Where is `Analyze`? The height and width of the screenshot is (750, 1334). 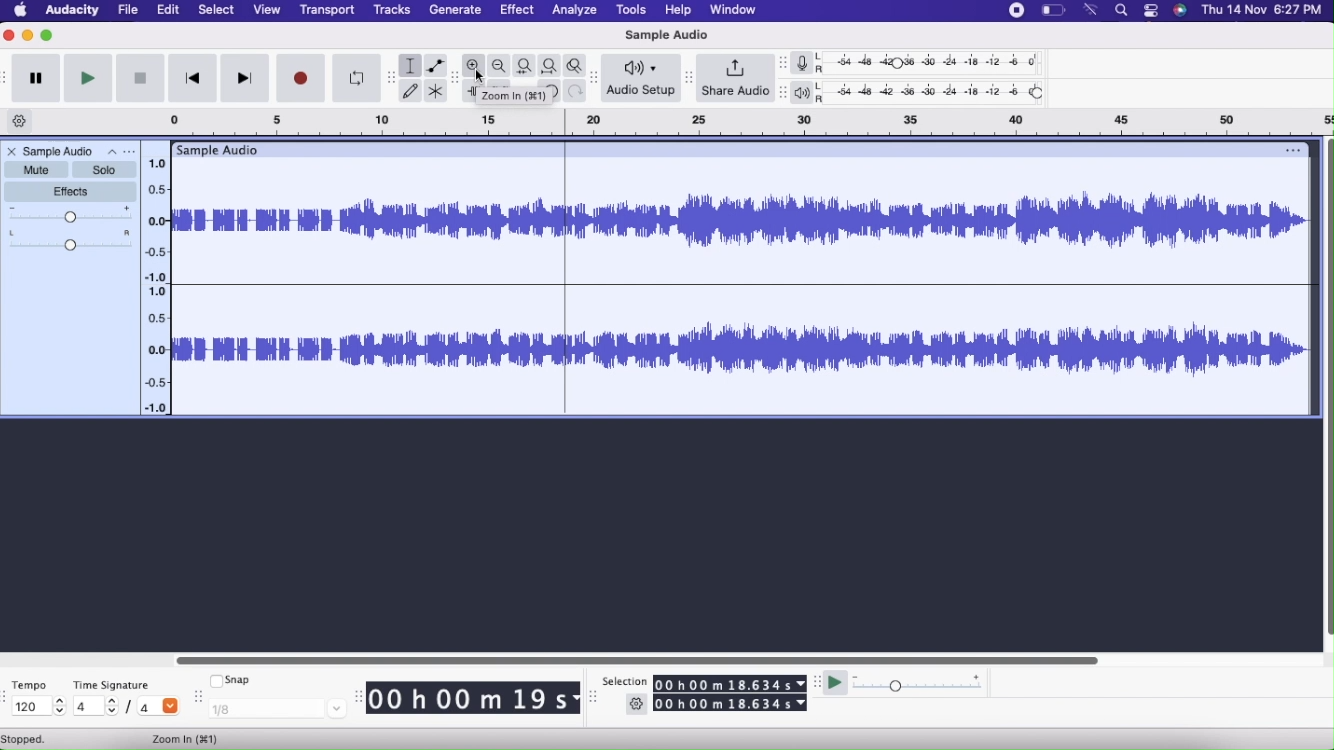 Analyze is located at coordinates (574, 11).